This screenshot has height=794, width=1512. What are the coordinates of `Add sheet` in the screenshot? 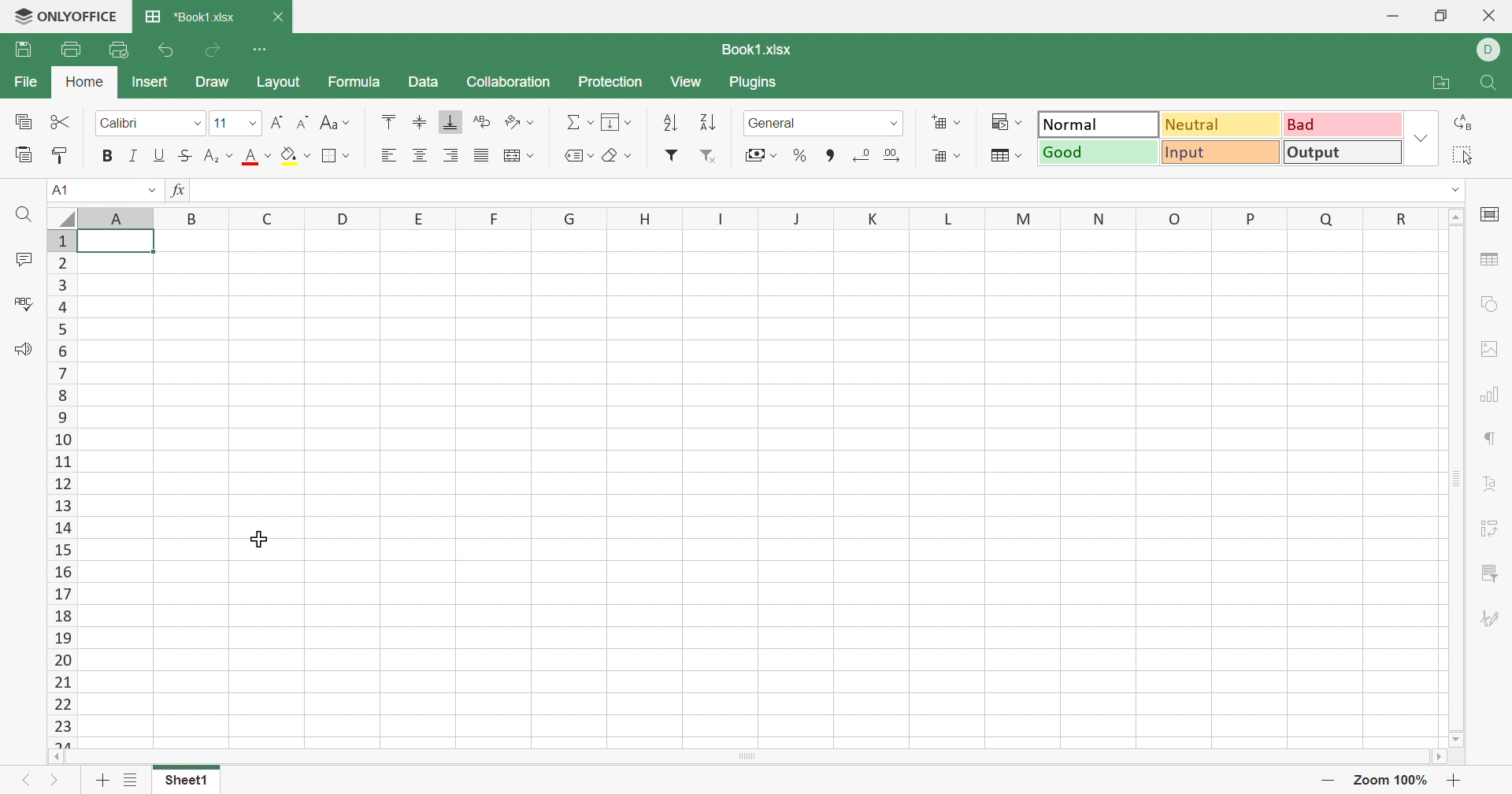 It's located at (102, 779).